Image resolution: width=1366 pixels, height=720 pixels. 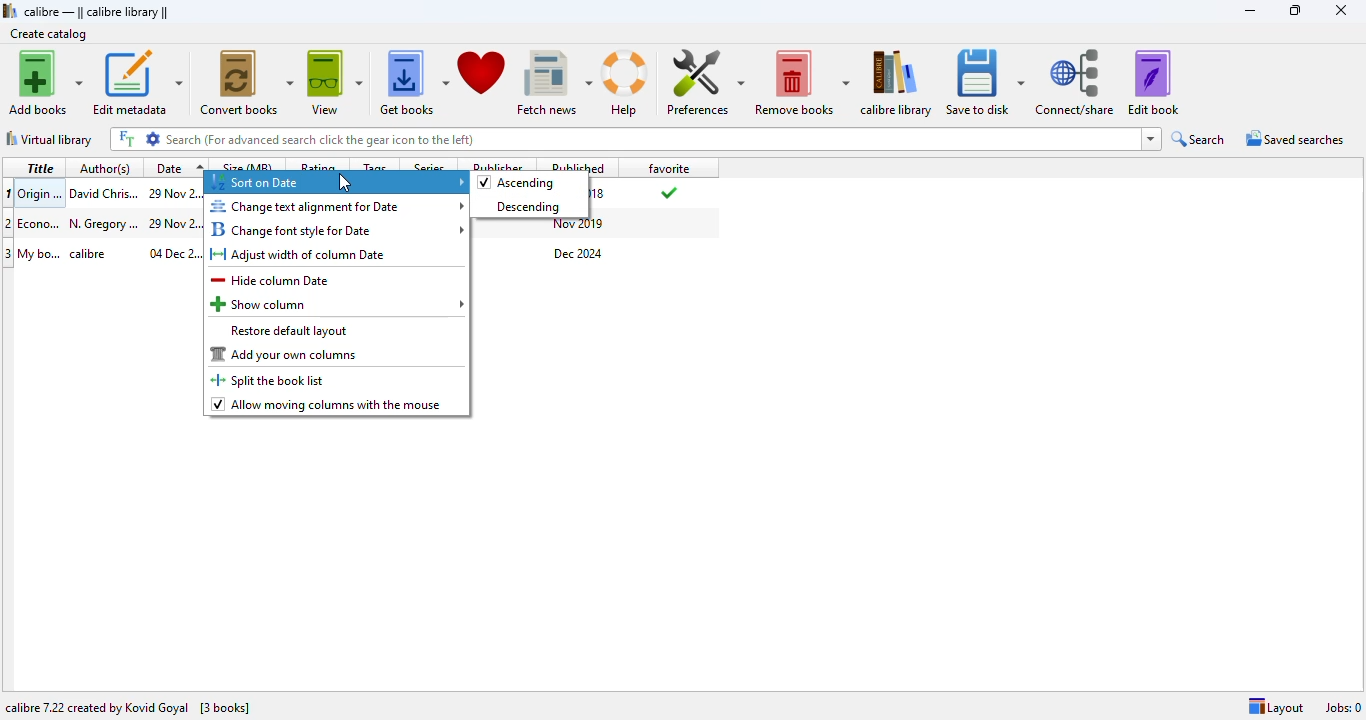 I want to click on split the book list, so click(x=271, y=380).